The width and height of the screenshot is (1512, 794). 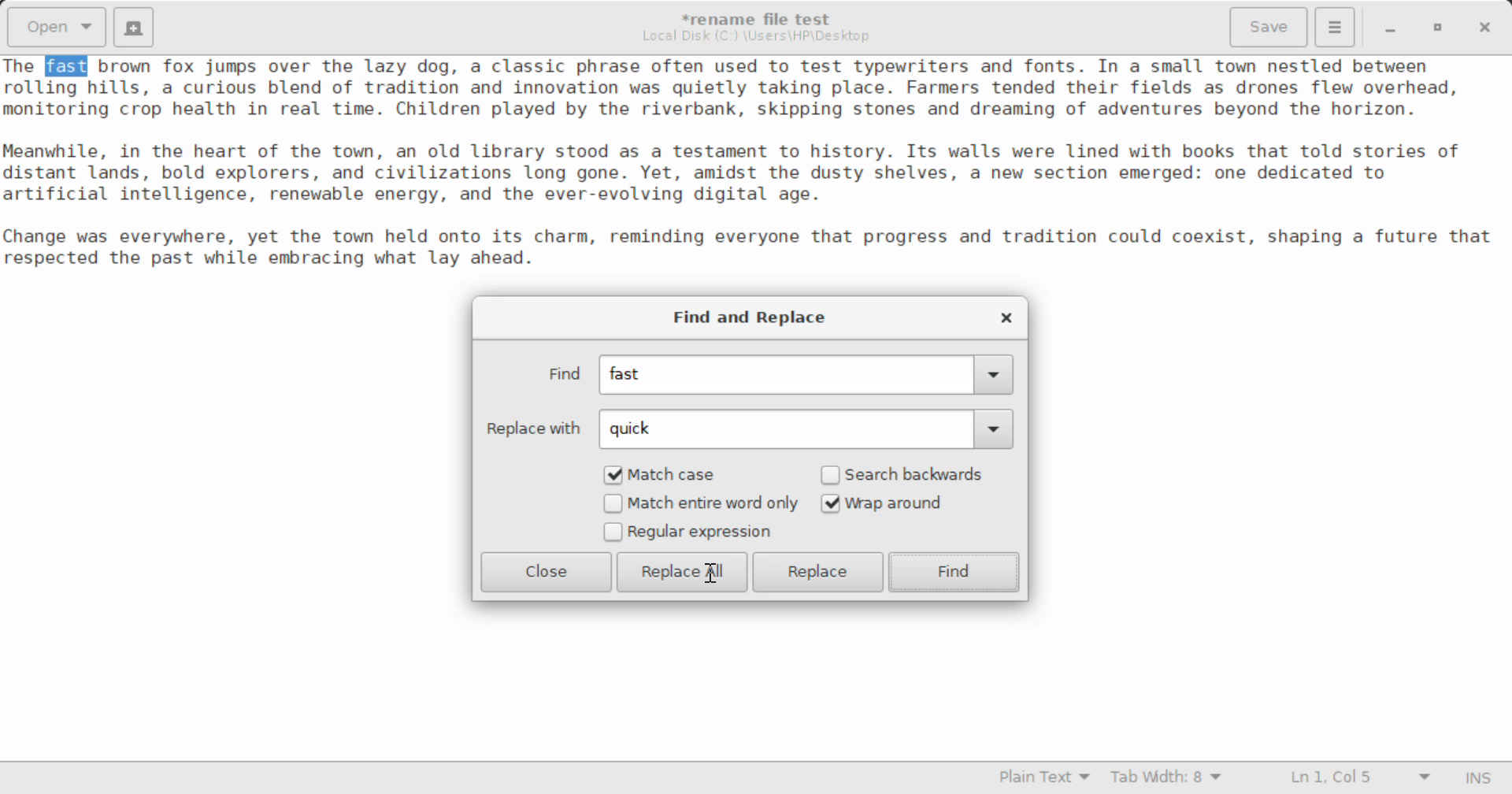 I want to click on Search backwards, so click(x=907, y=474).